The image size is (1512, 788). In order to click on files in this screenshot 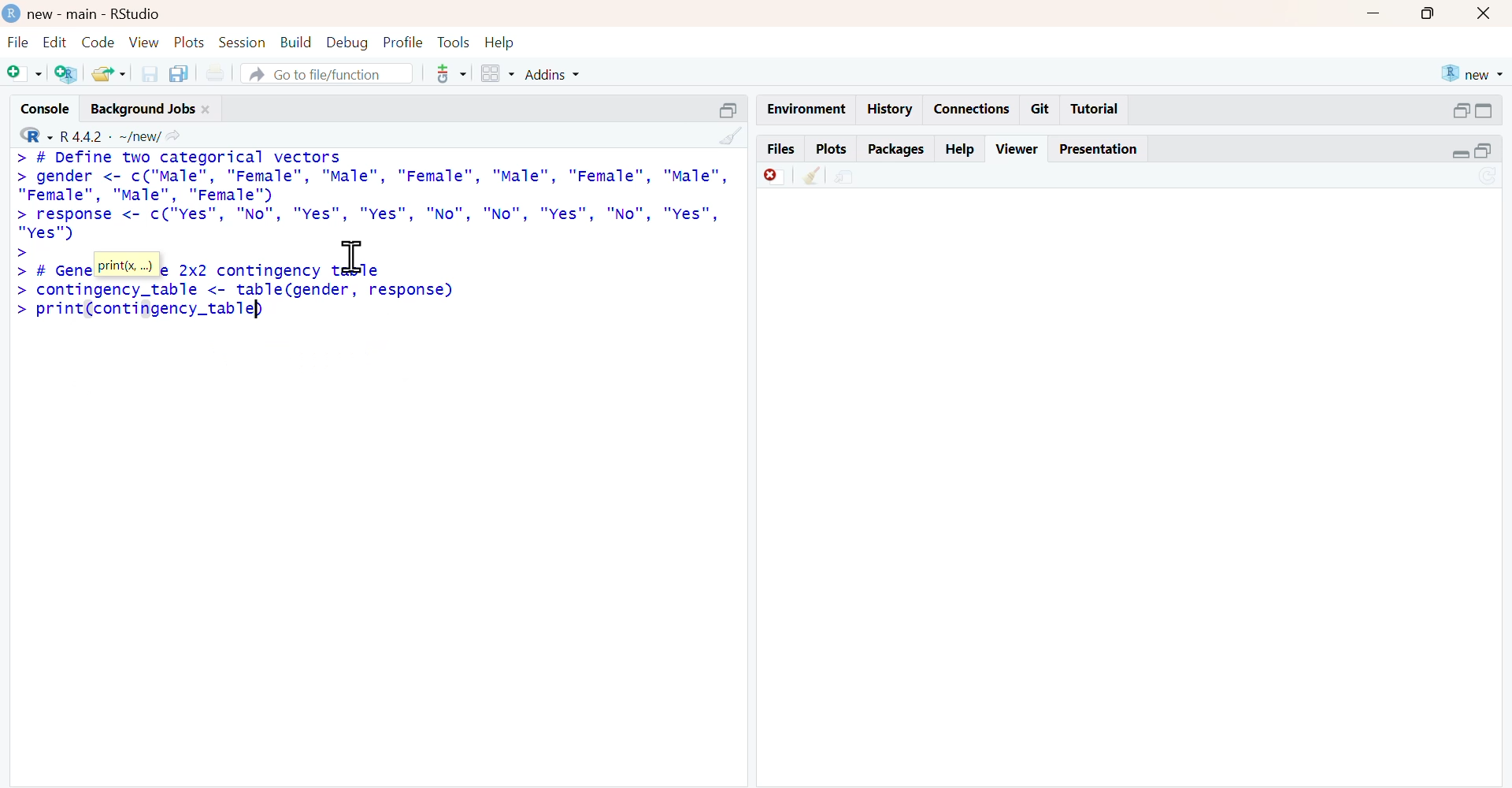, I will do `click(781, 147)`.